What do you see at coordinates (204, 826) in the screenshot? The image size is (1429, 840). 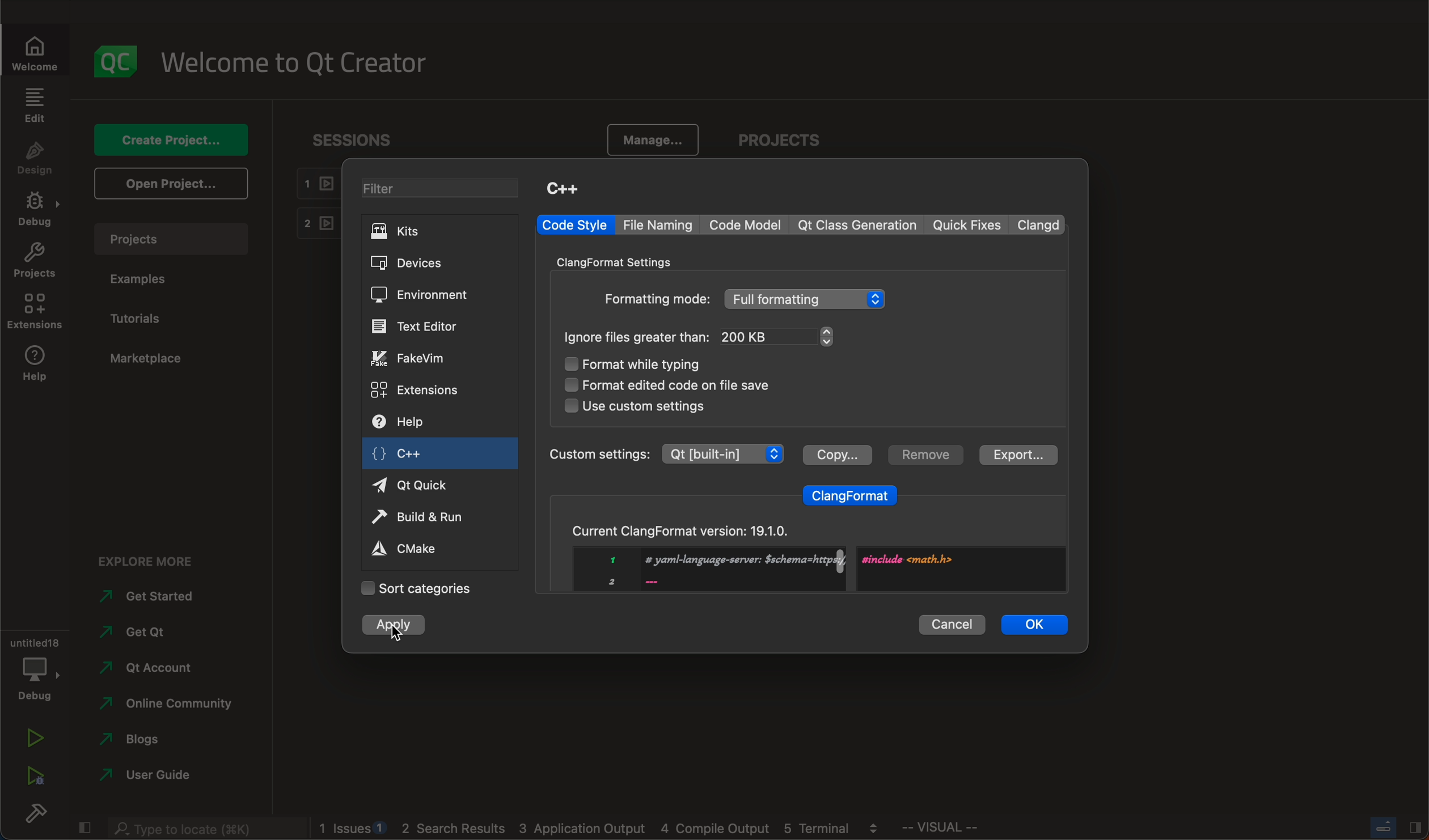 I see `search bar` at bounding box center [204, 826].